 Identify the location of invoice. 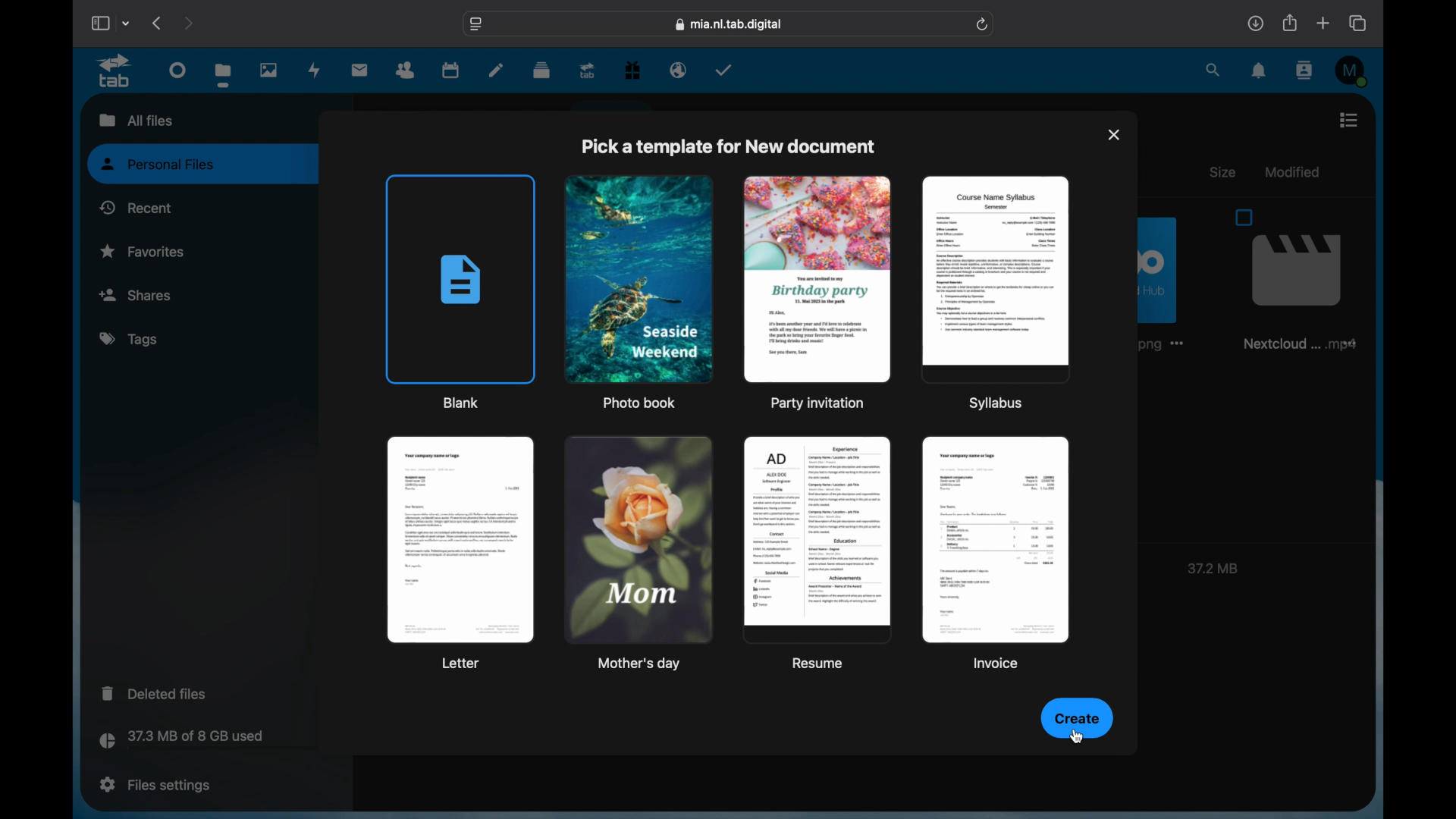
(996, 552).